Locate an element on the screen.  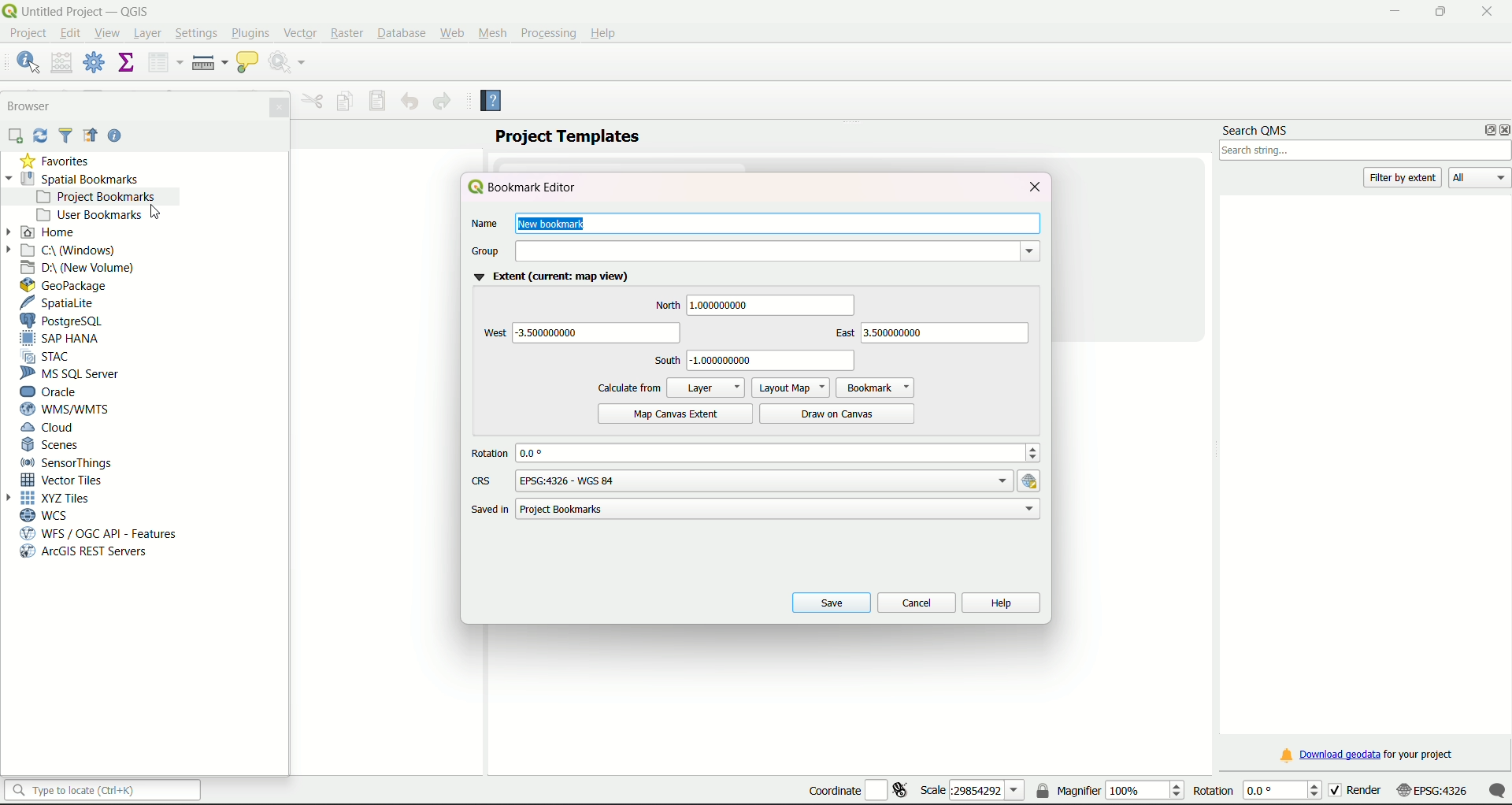
run feature action is located at coordinates (289, 62).